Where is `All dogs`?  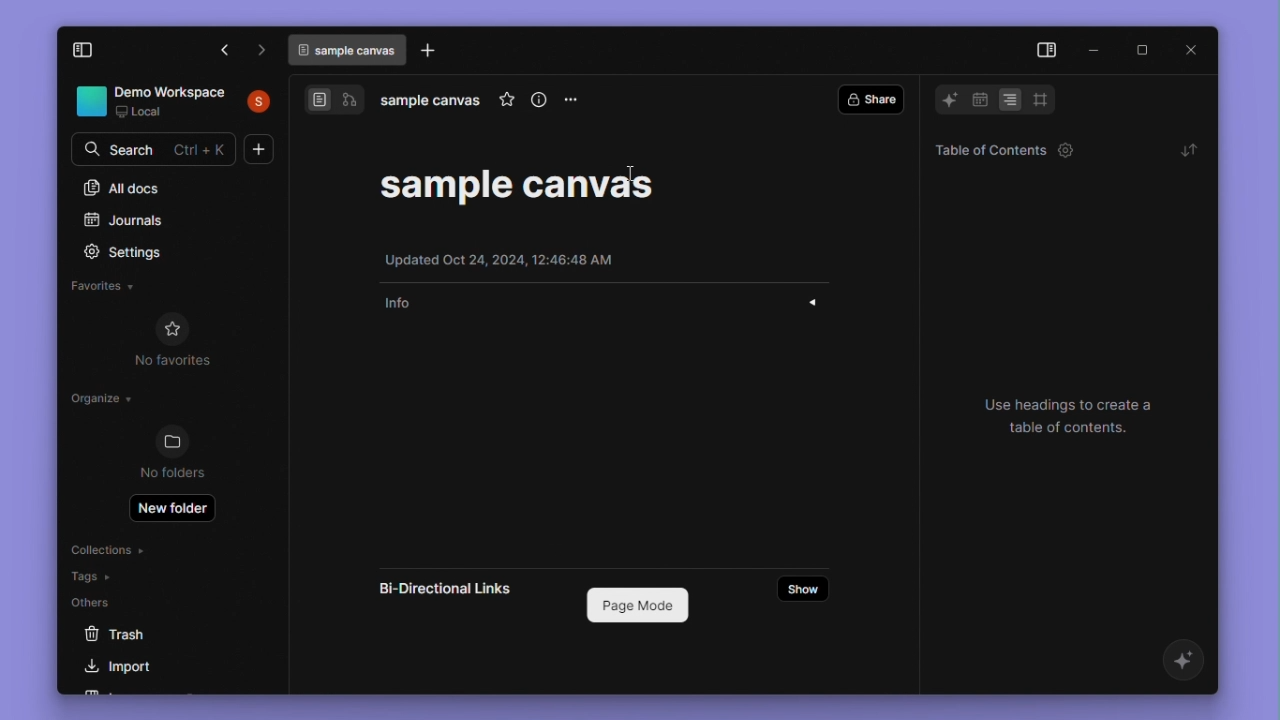 All dogs is located at coordinates (123, 188).